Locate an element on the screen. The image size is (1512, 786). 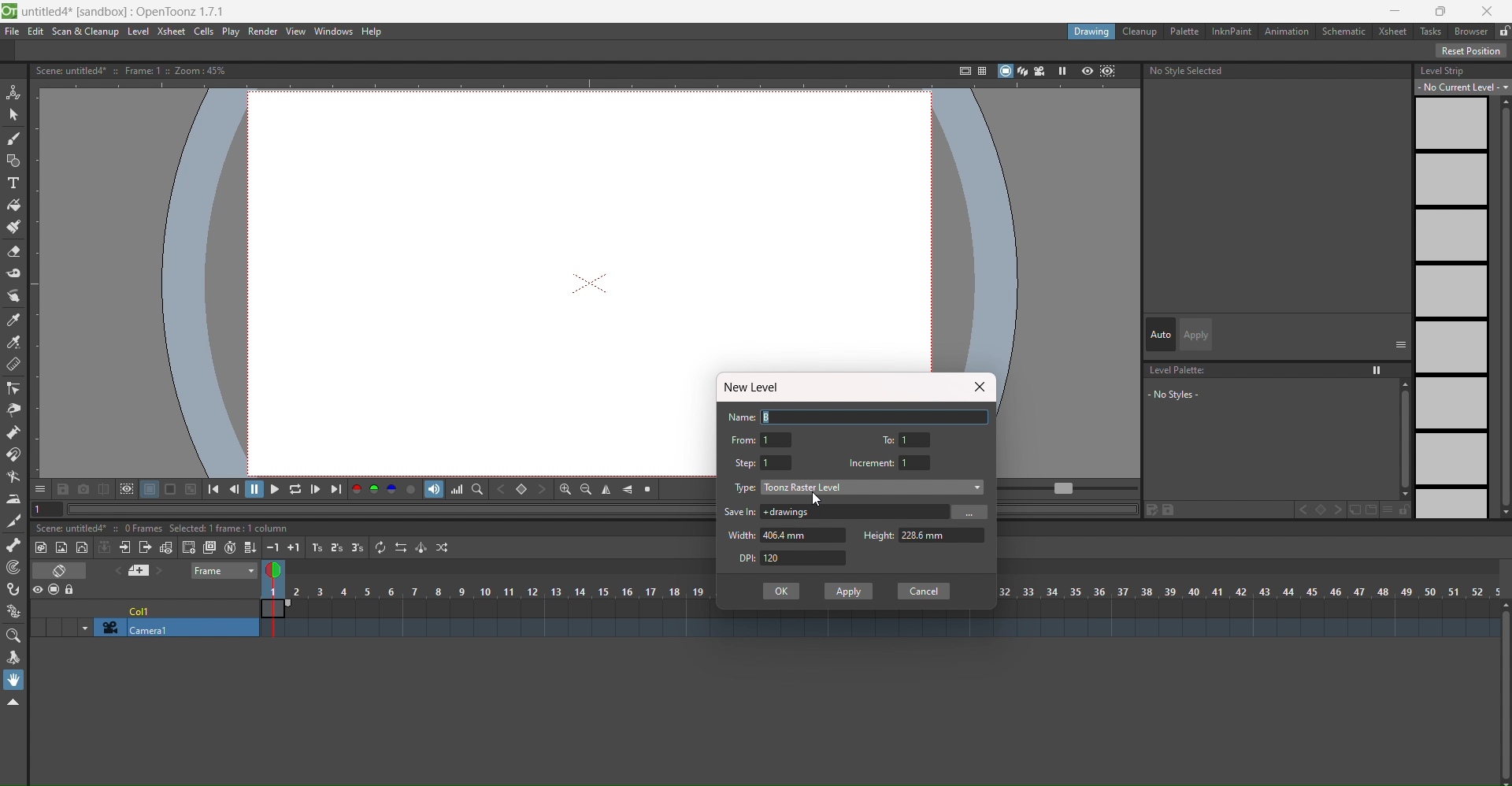
alpha chanel is located at coordinates (412, 488).